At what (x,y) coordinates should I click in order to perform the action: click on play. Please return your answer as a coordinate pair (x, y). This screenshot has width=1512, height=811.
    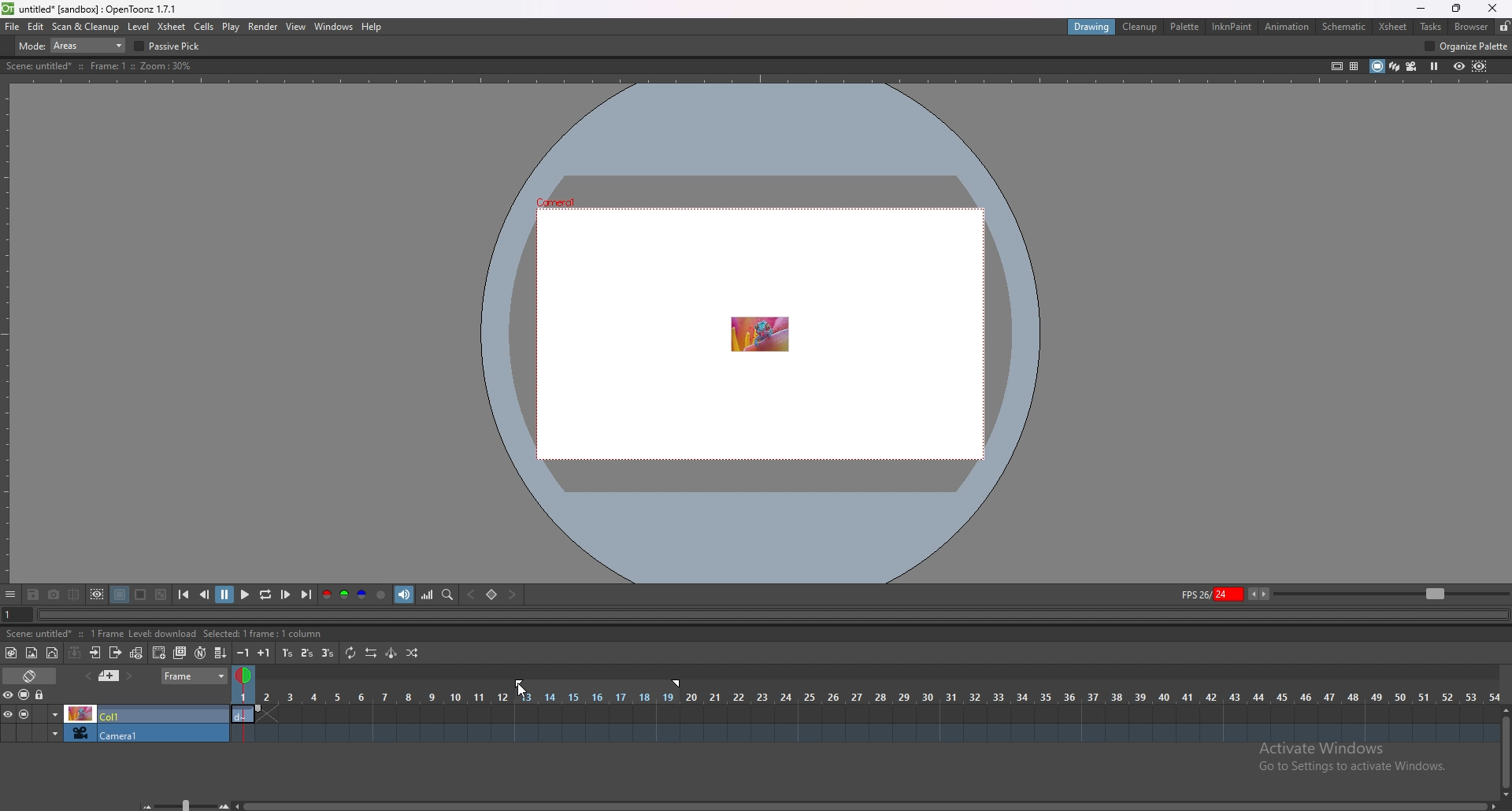
    Looking at the image, I should click on (246, 593).